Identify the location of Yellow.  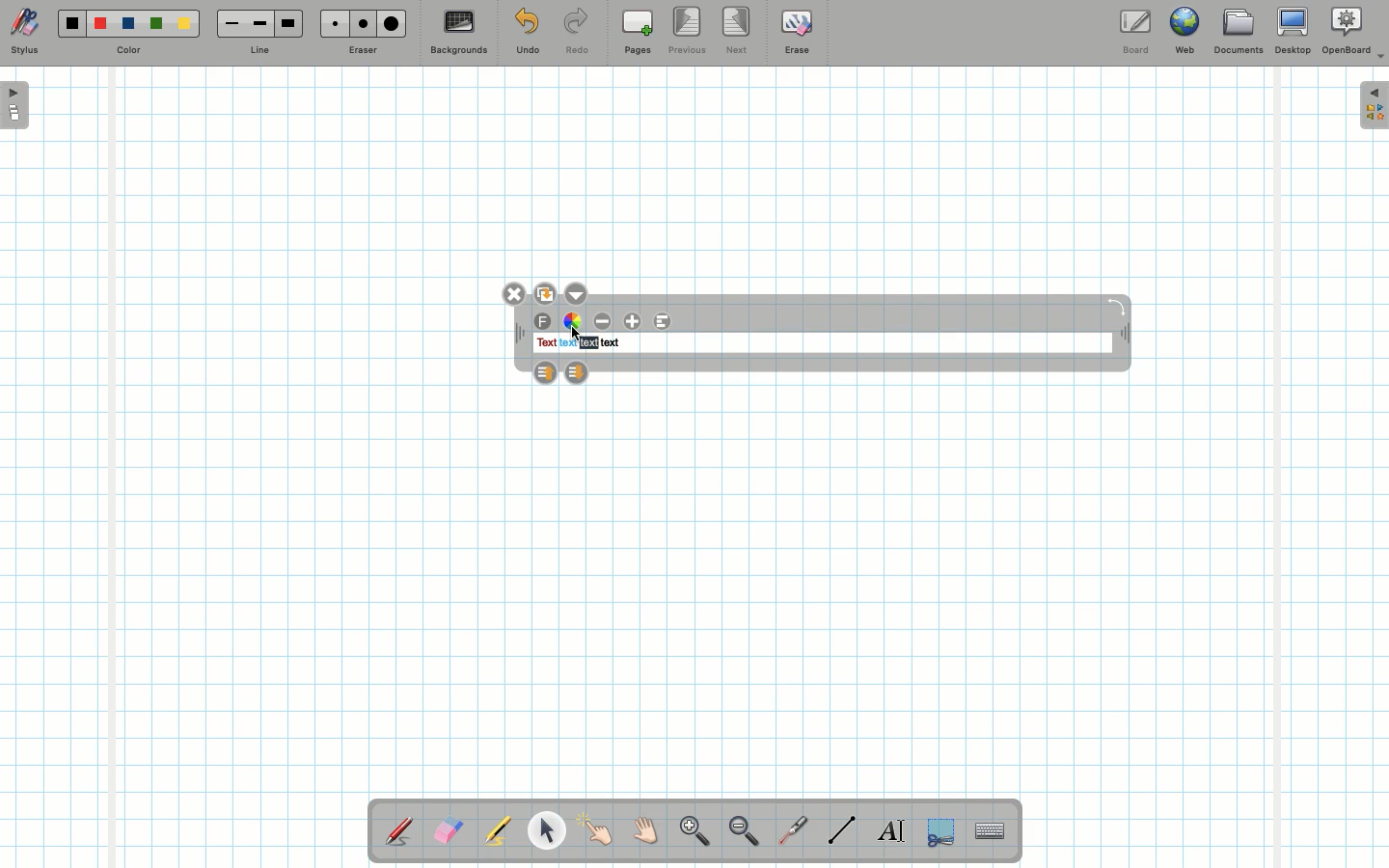
(184, 23).